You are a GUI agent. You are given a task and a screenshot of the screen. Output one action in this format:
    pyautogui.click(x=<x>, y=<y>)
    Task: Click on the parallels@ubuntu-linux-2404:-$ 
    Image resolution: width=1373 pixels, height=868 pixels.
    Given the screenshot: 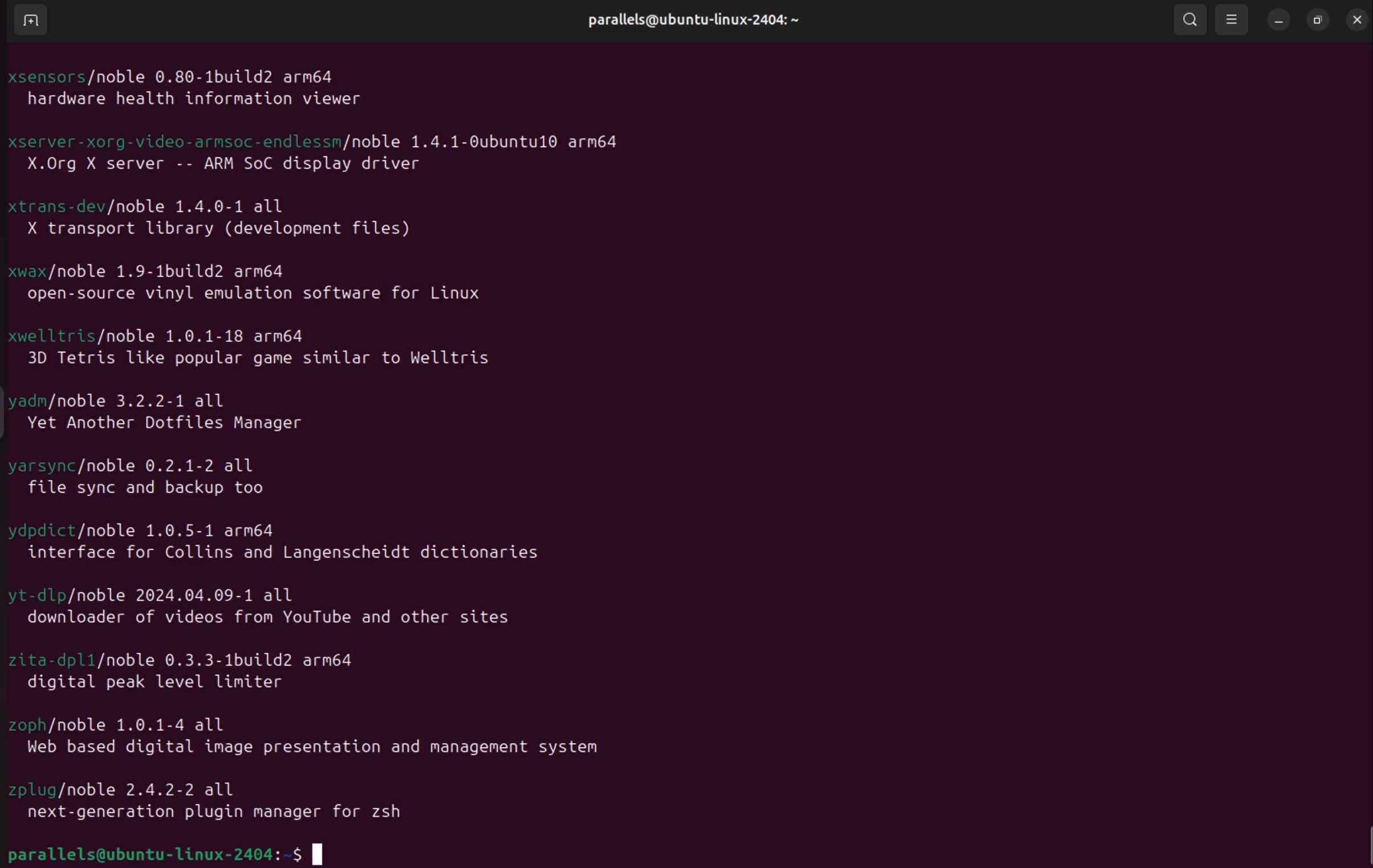 What is the action you would take?
    pyautogui.click(x=186, y=851)
    